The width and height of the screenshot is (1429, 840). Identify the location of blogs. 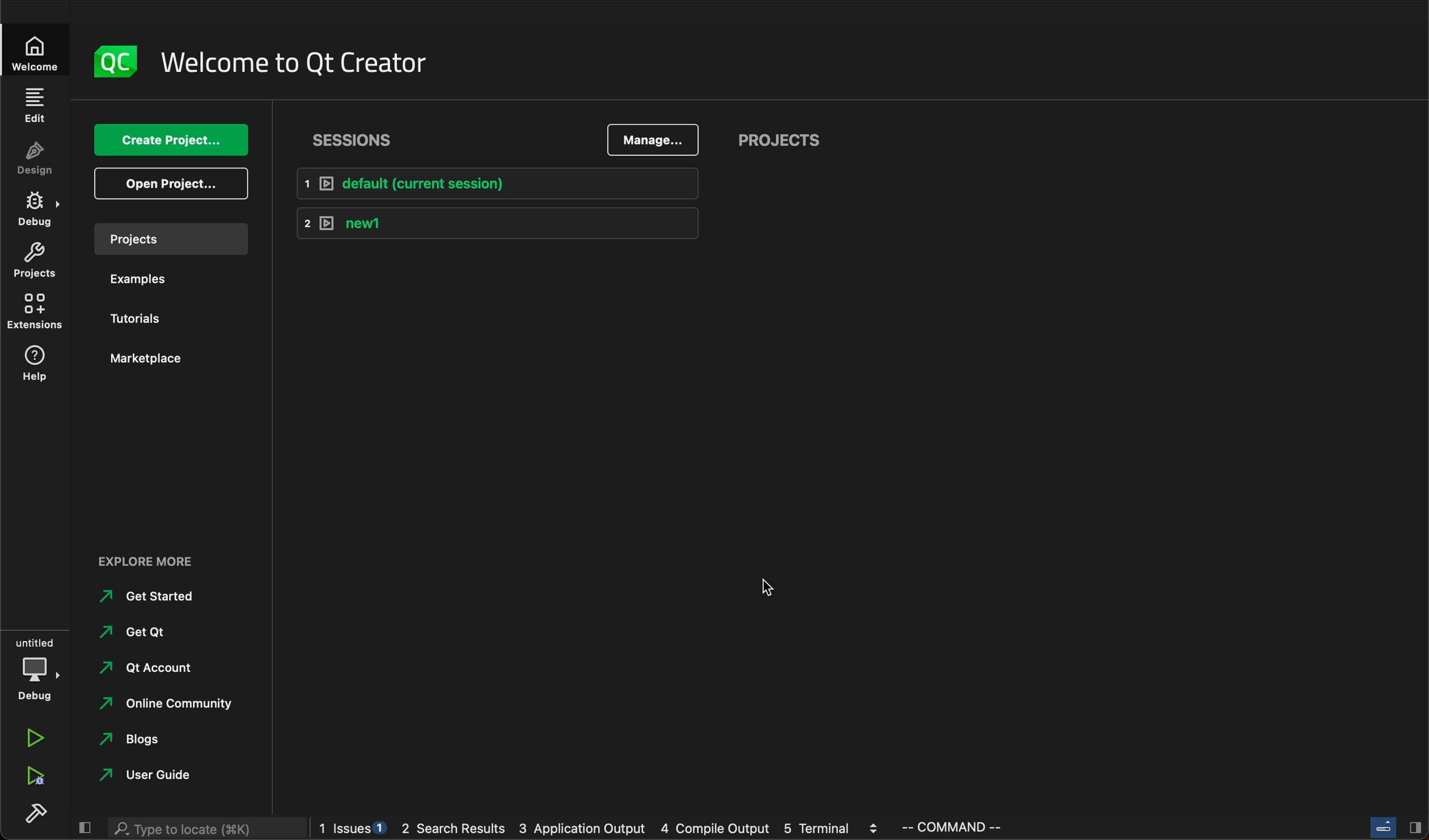
(141, 738).